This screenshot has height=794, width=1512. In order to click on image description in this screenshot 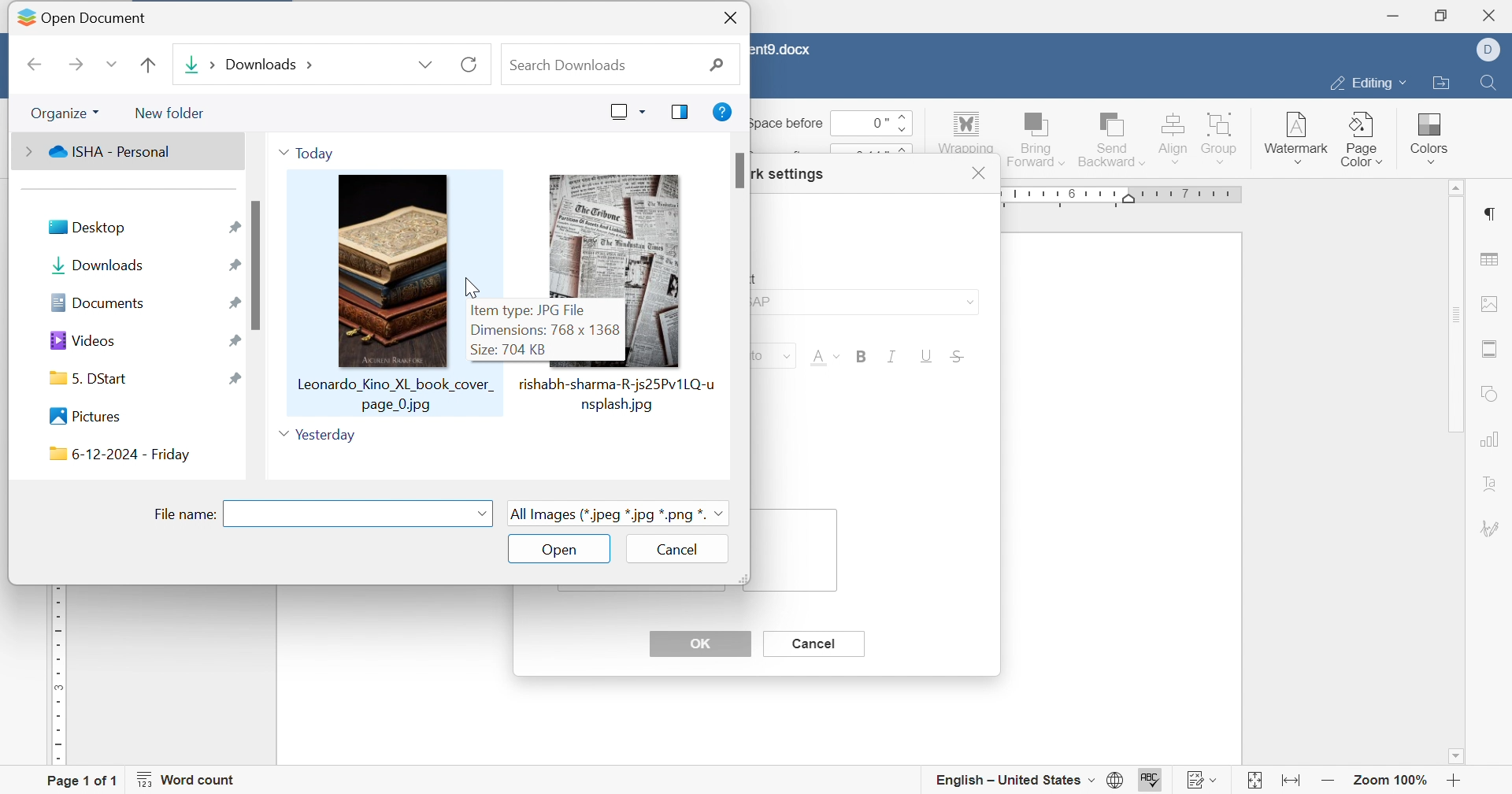, I will do `click(561, 329)`.